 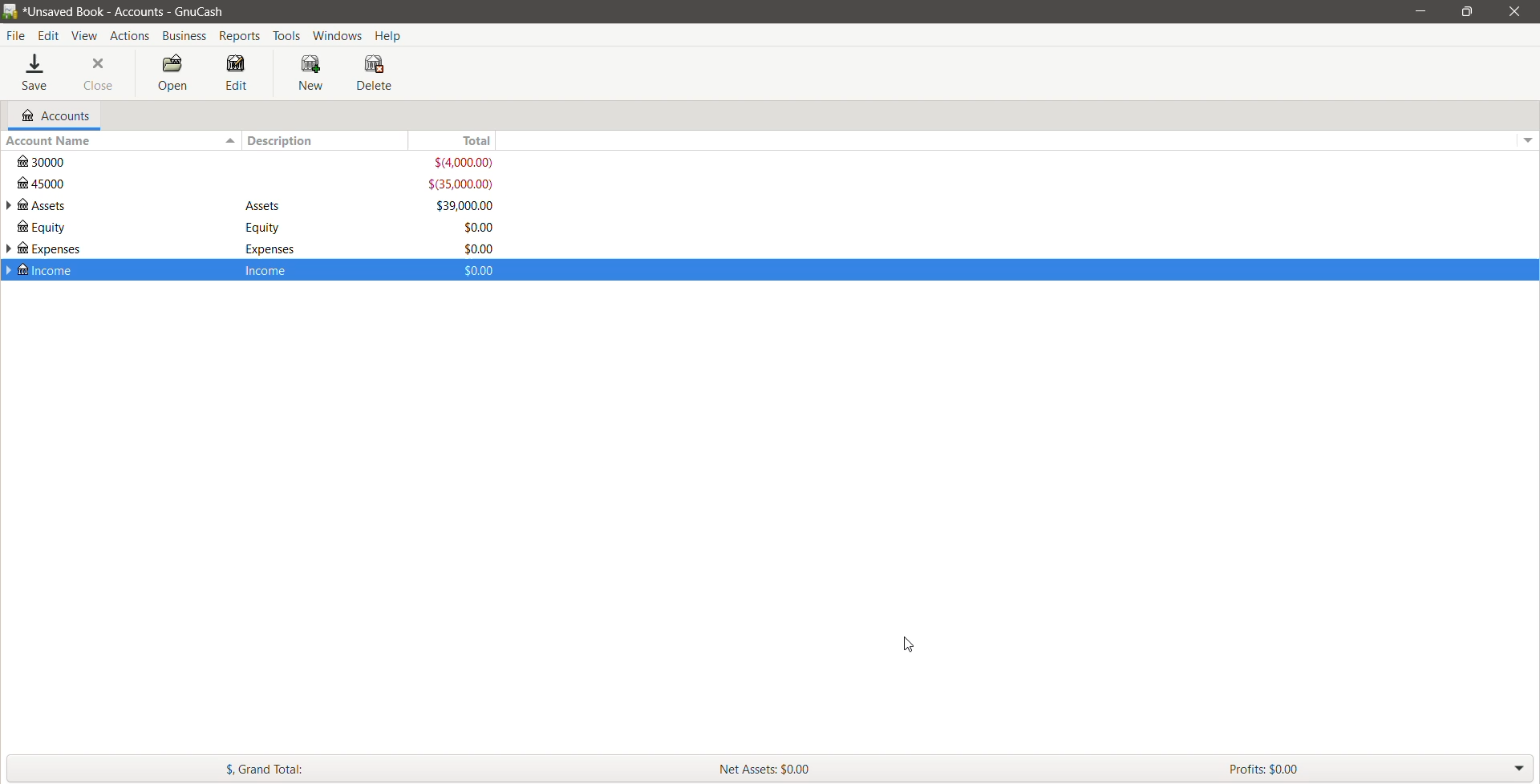 What do you see at coordinates (51, 36) in the screenshot?
I see `Edit` at bounding box center [51, 36].